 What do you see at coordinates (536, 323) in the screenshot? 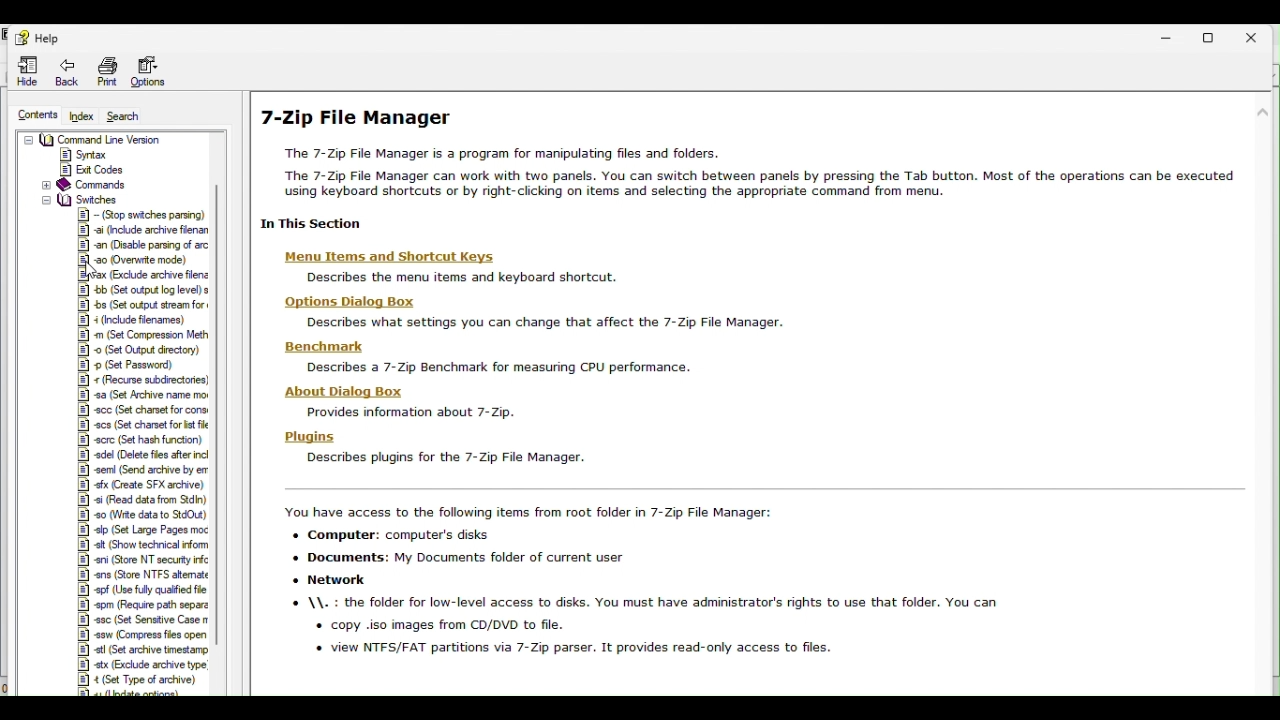
I see `Describes what settings you can change that affect the 7-Zip File Manager.` at bounding box center [536, 323].